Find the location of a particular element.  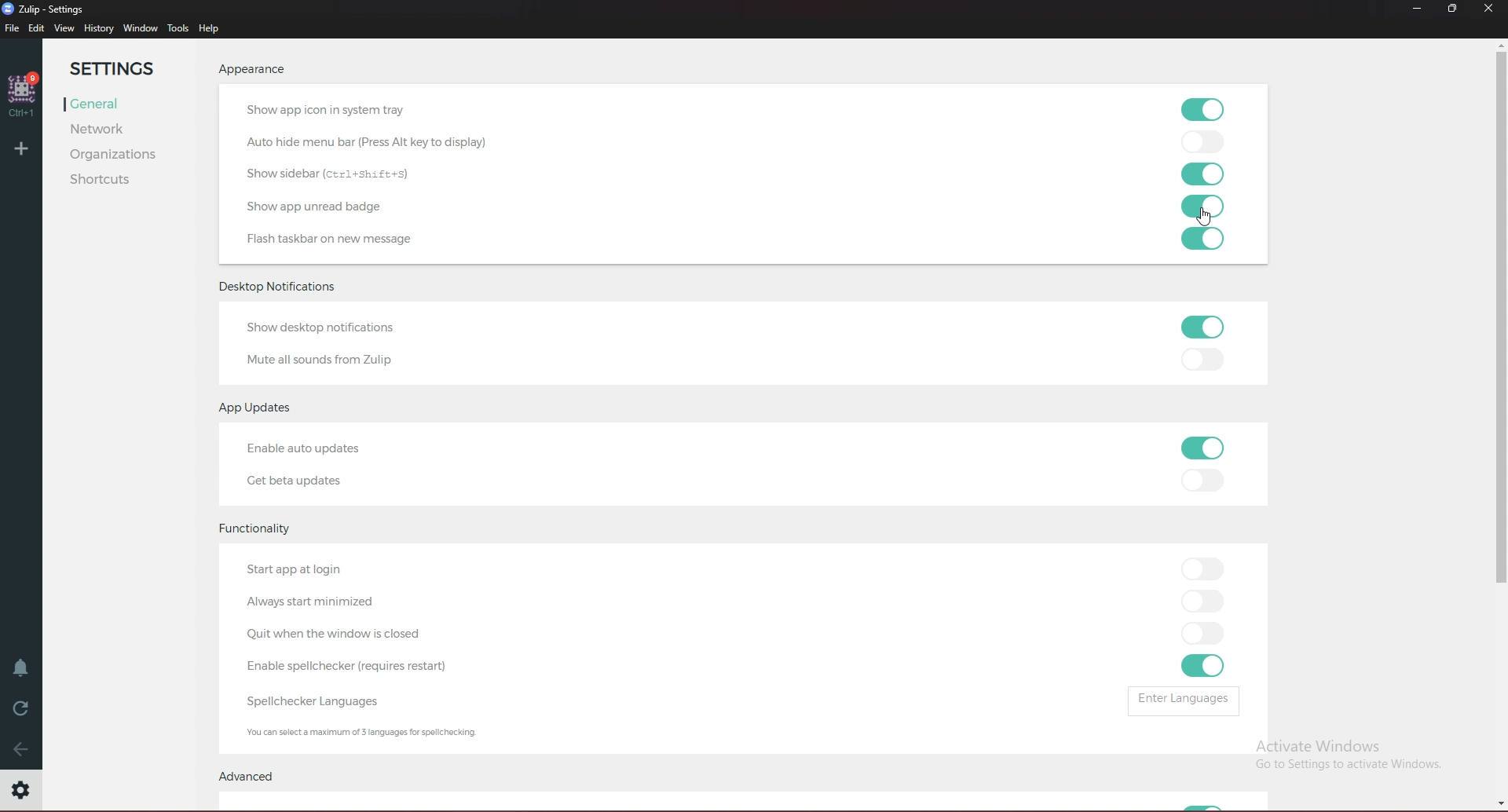

Show desktop notifications is located at coordinates (324, 328).